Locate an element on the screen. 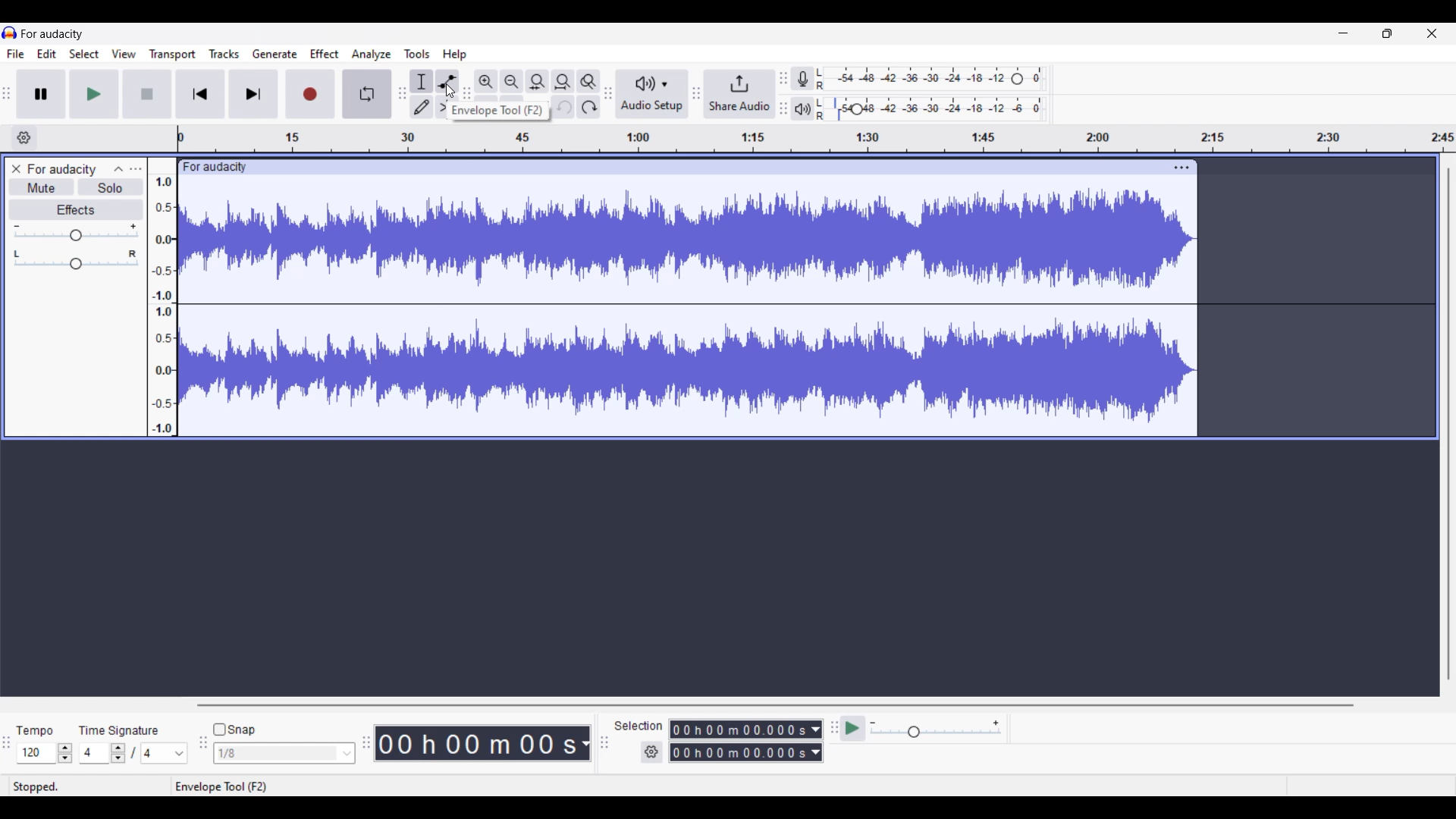 The height and width of the screenshot is (819, 1456). Playback level is located at coordinates (933, 108).